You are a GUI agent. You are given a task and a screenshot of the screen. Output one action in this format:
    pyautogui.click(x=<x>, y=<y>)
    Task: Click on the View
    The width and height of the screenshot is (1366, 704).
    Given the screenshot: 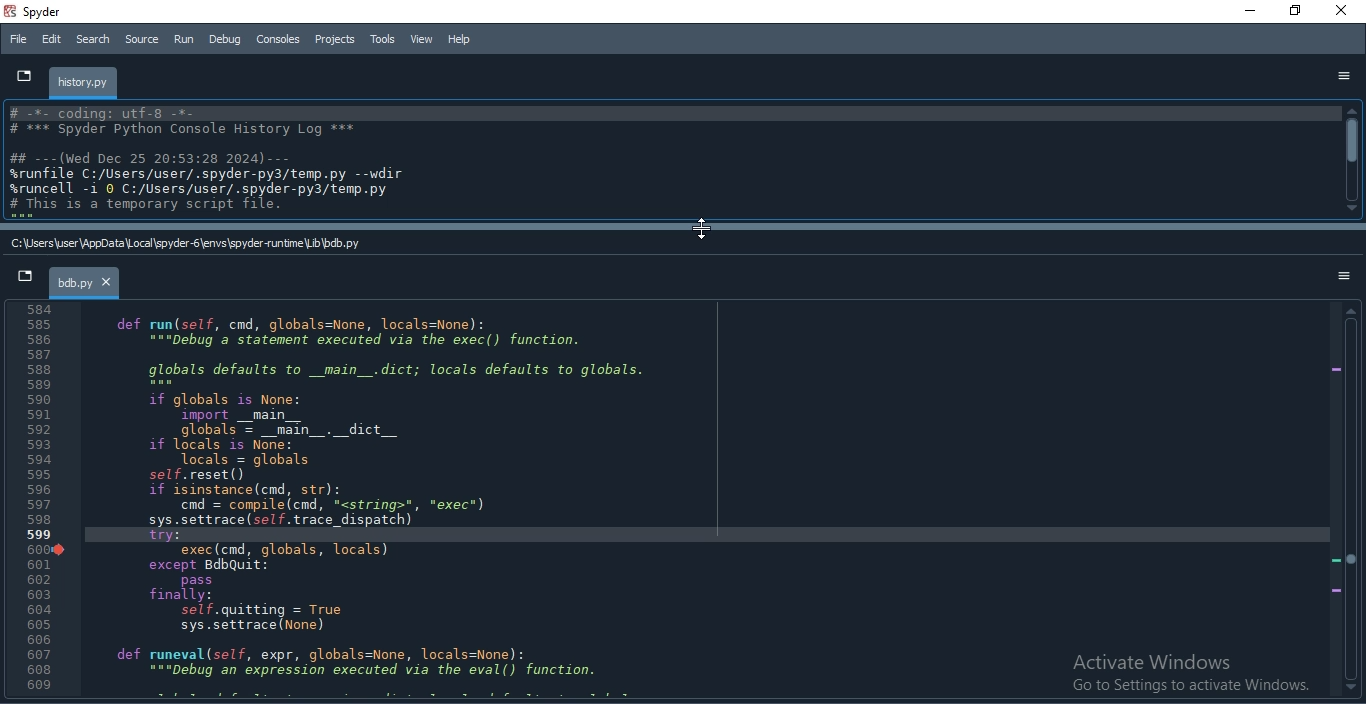 What is the action you would take?
    pyautogui.click(x=420, y=38)
    